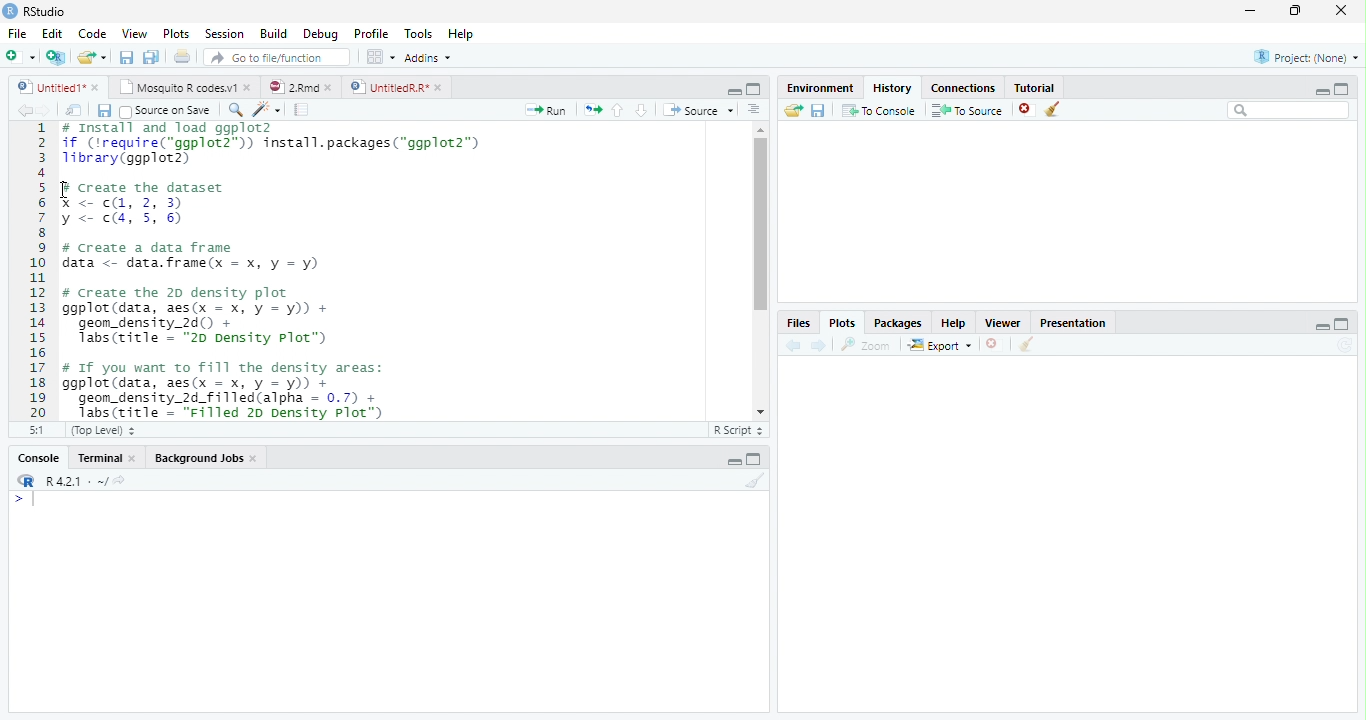 The image size is (1366, 720). Describe the element at coordinates (892, 88) in the screenshot. I see `History` at that location.